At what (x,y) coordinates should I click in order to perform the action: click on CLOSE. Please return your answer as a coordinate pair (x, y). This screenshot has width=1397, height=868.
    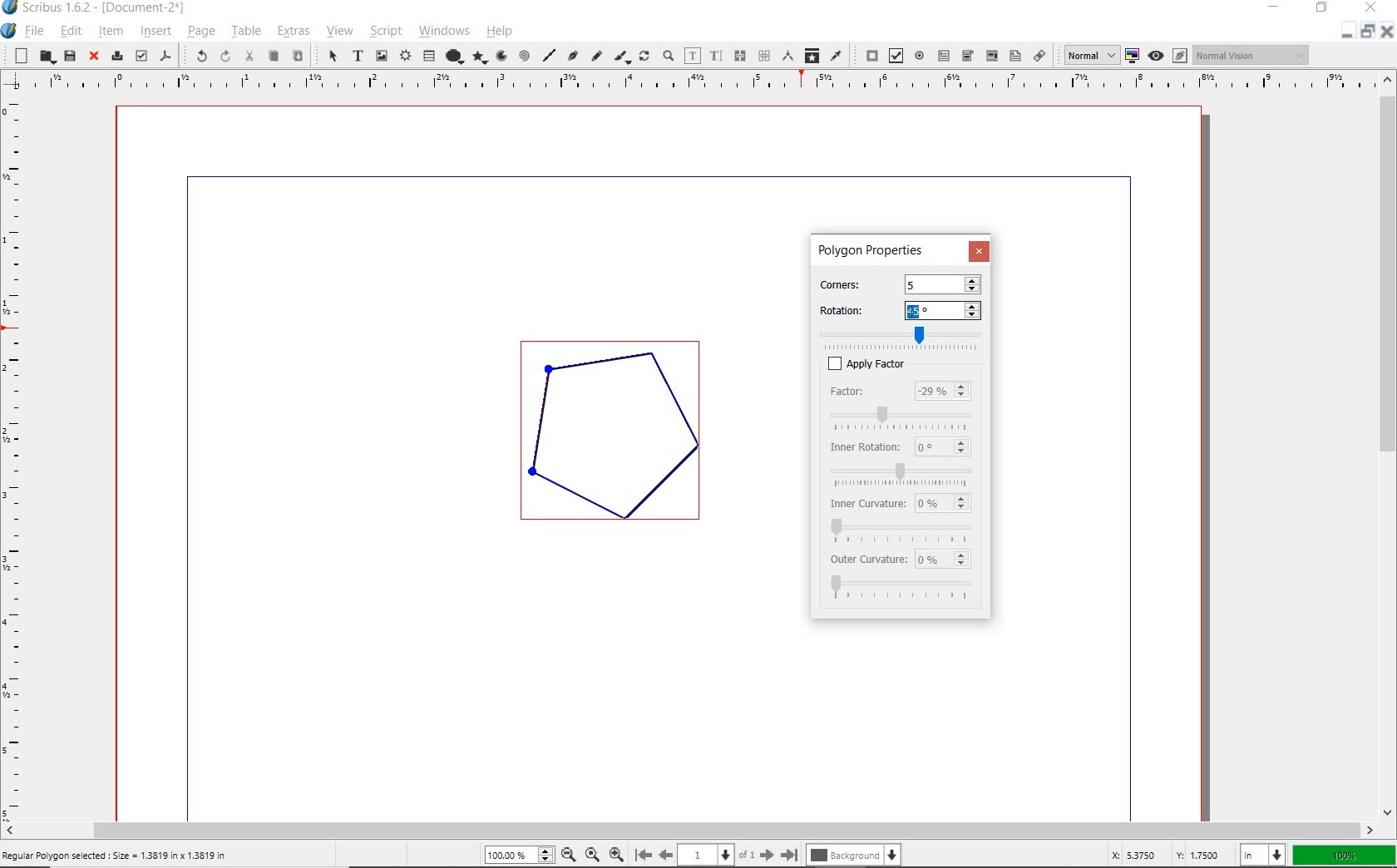
    Looking at the image, I should click on (979, 250).